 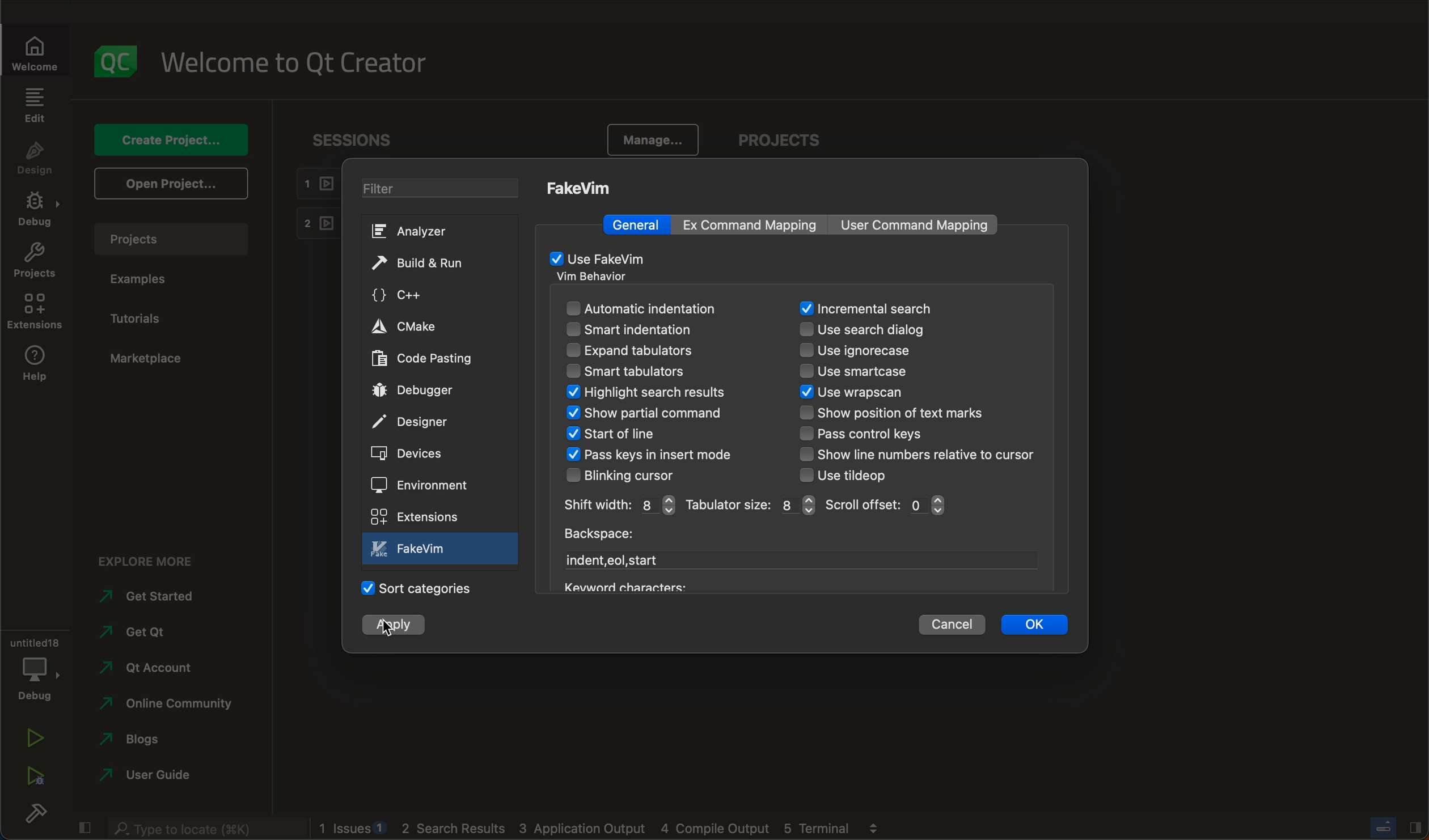 I want to click on scroll, so click(x=887, y=505).